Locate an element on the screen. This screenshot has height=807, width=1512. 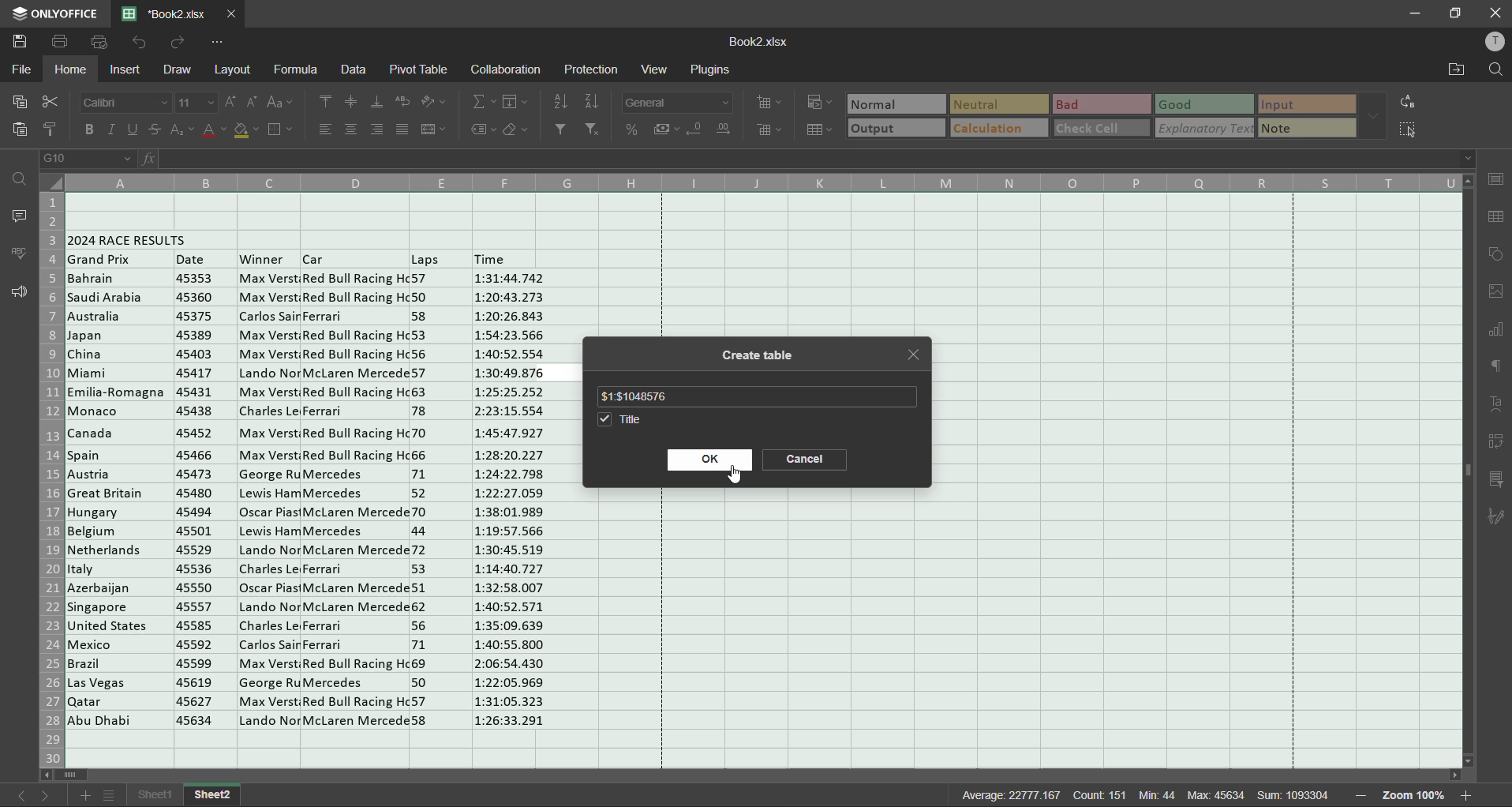
cursor is located at coordinates (736, 478).